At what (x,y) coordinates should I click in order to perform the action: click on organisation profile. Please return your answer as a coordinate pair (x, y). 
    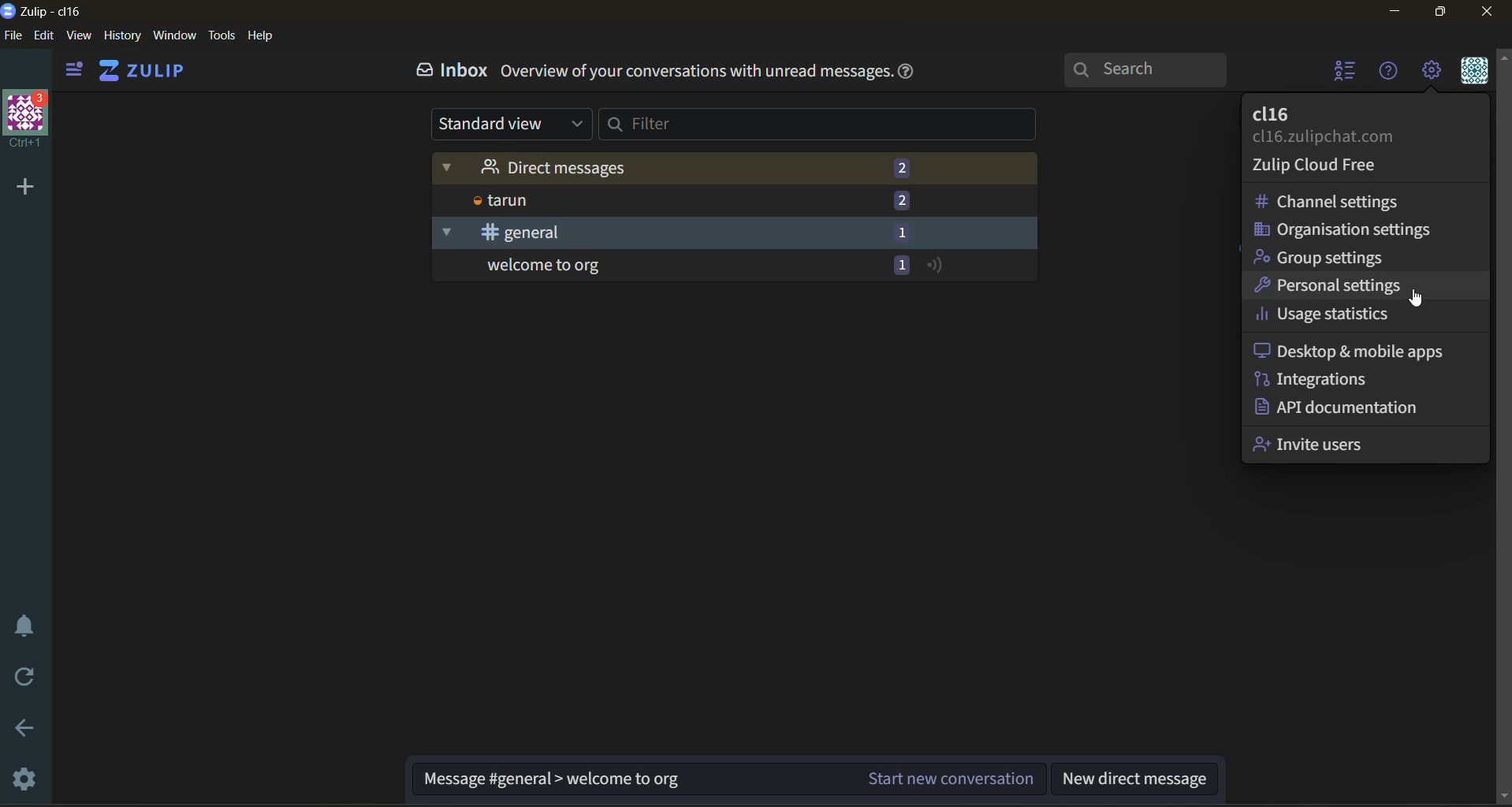
    Looking at the image, I should click on (24, 117).